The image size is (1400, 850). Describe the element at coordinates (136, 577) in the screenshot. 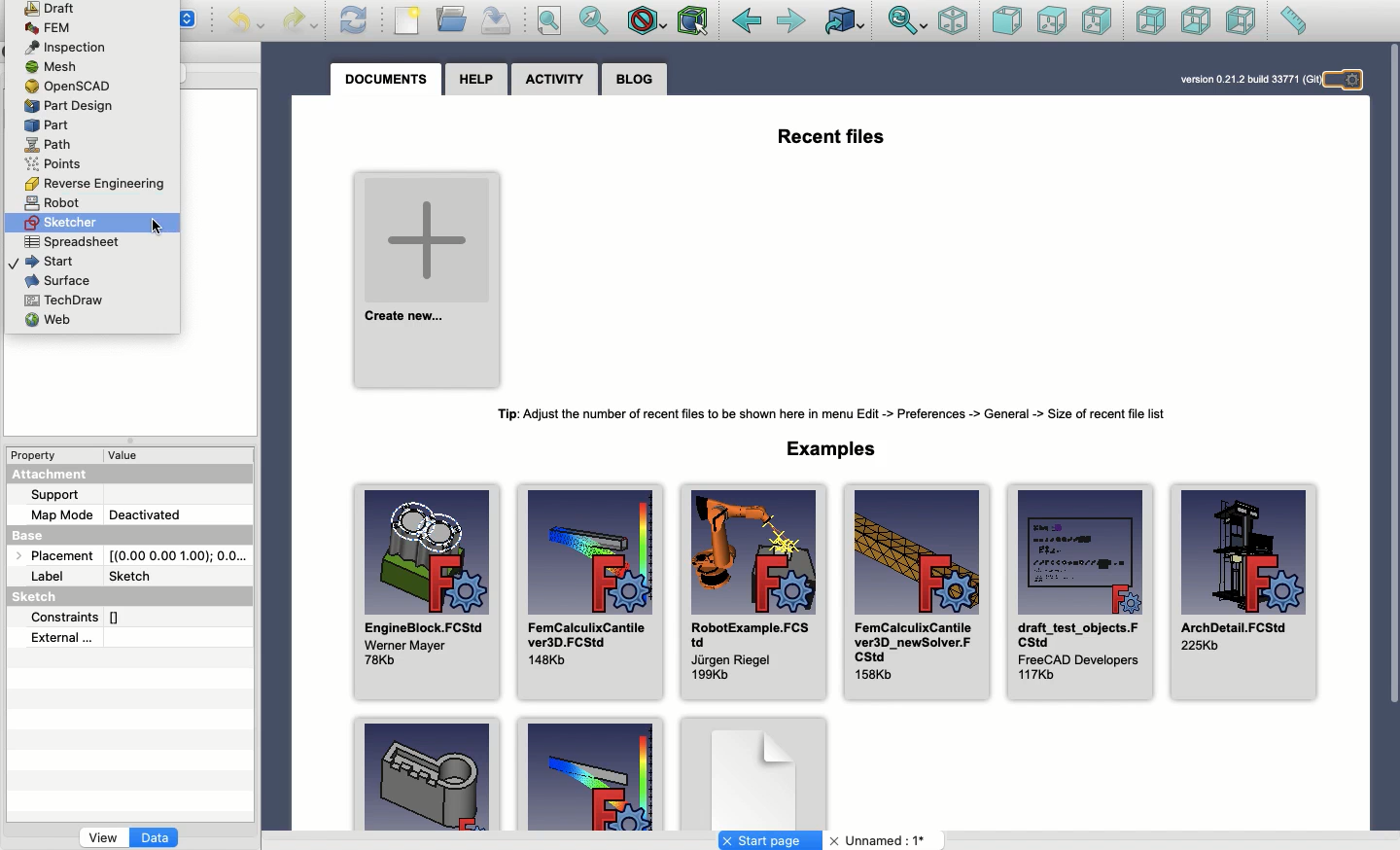

I see `Sketch` at that location.